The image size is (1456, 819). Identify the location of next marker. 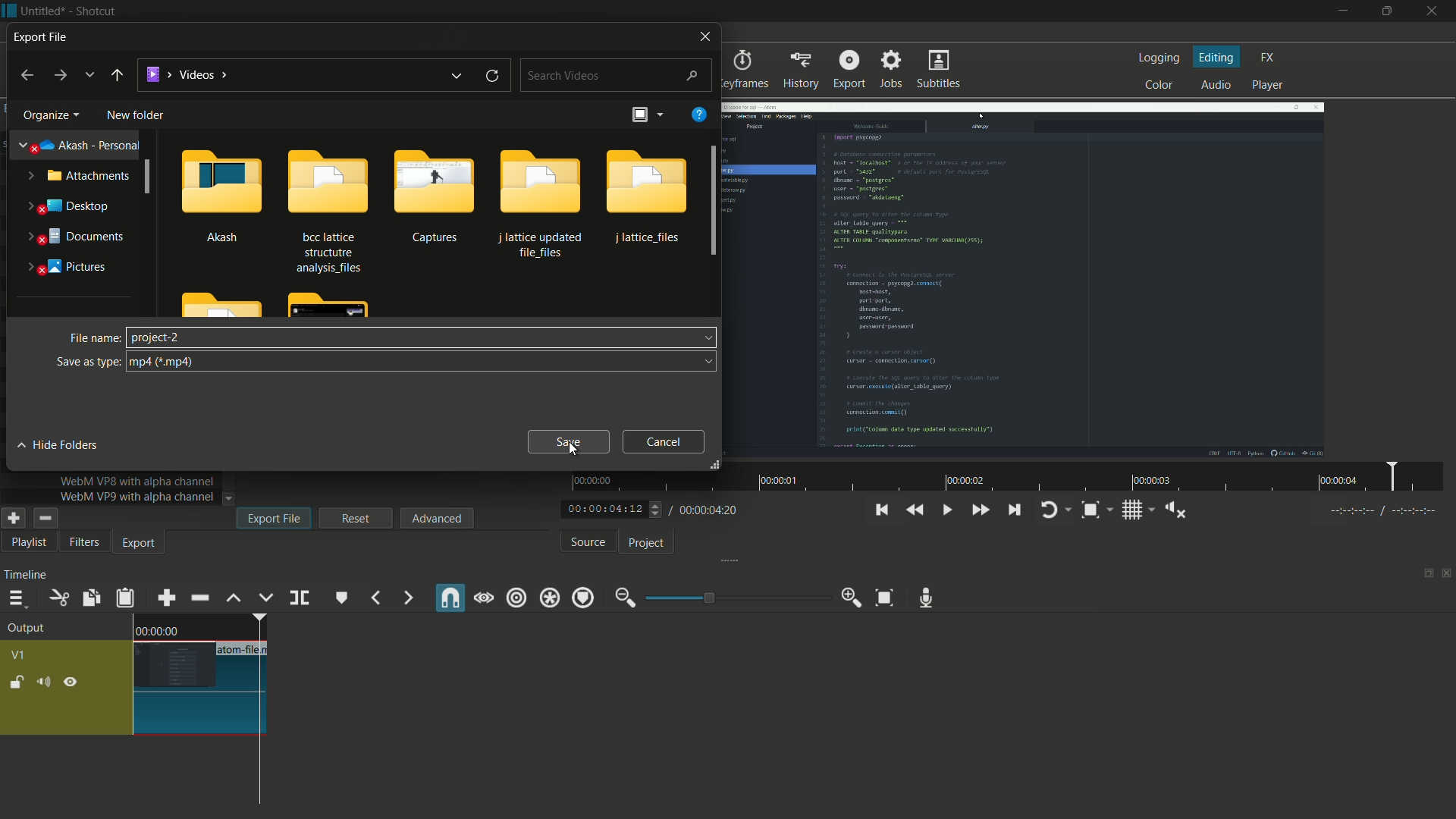
(409, 598).